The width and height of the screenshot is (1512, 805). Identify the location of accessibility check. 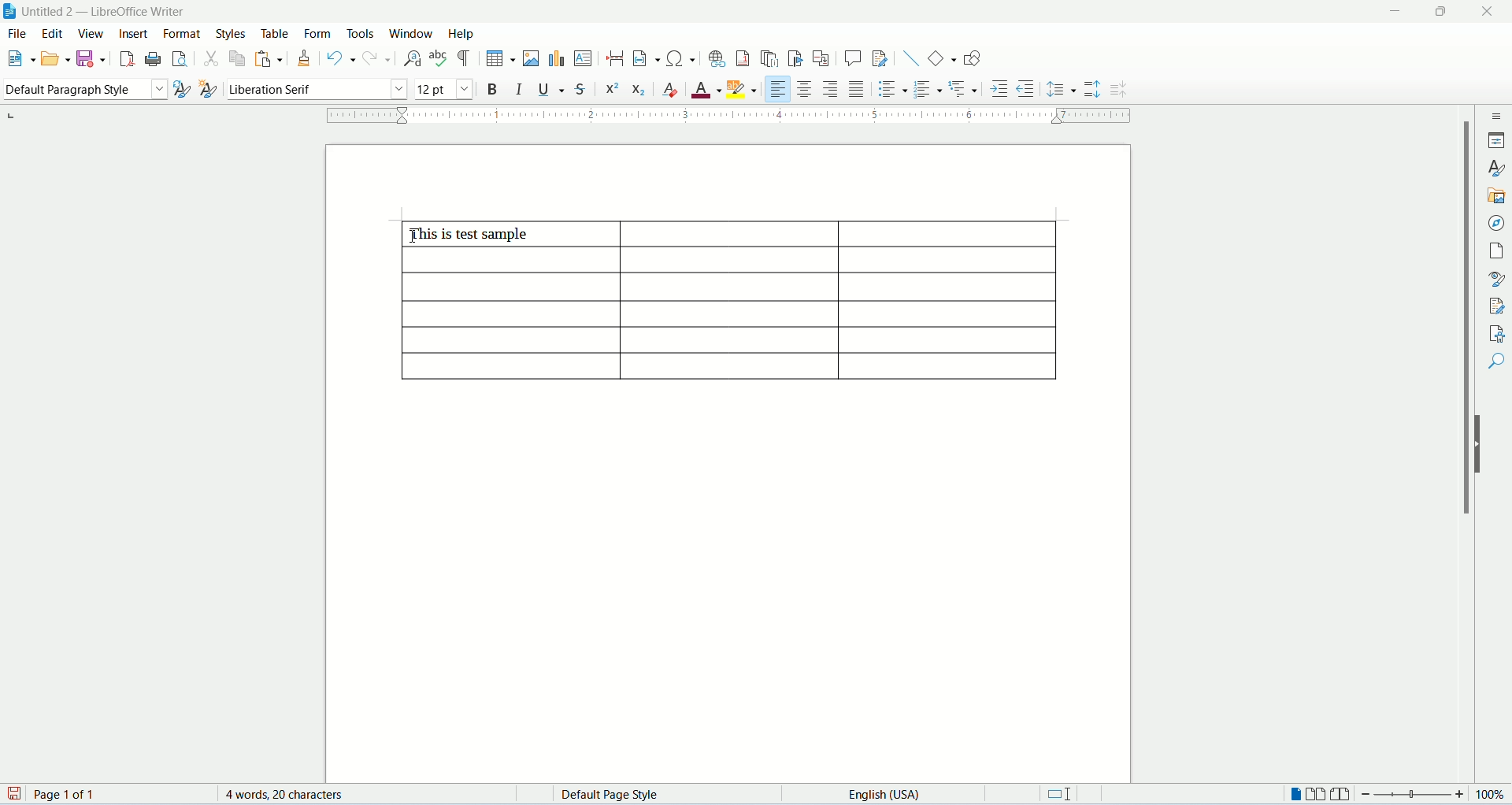
(1498, 332).